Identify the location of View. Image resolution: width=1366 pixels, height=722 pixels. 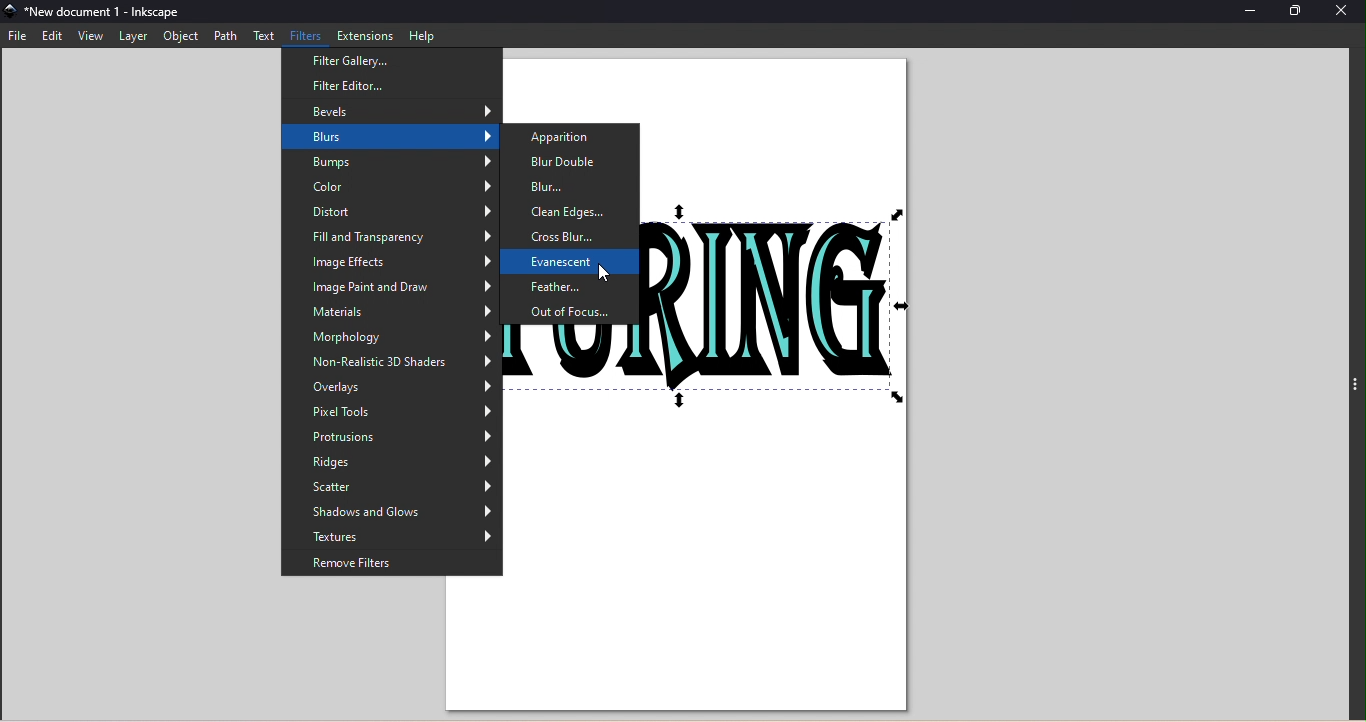
(92, 37).